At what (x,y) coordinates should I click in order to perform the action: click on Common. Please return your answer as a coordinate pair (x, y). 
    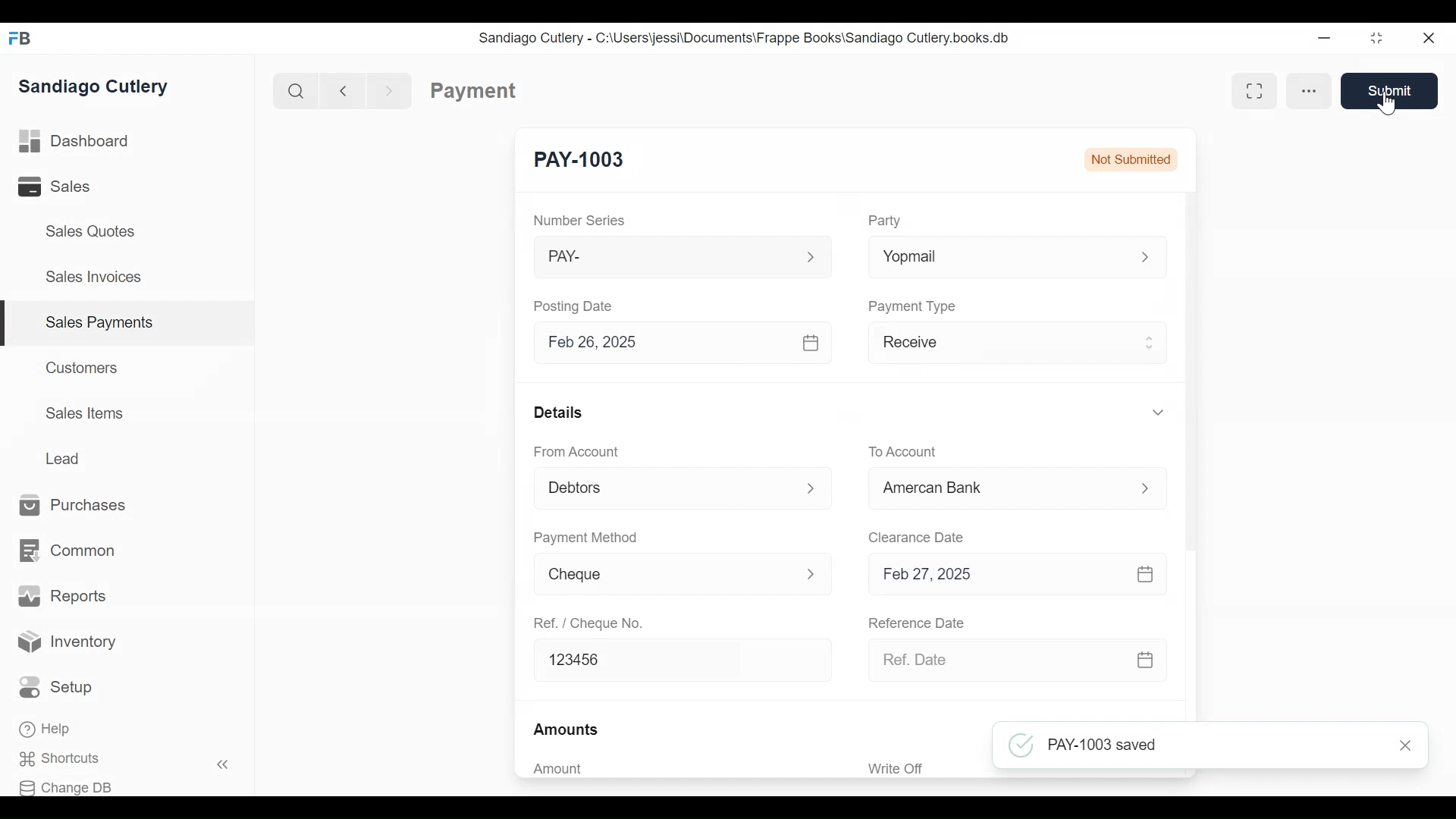
    Looking at the image, I should click on (66, 551).